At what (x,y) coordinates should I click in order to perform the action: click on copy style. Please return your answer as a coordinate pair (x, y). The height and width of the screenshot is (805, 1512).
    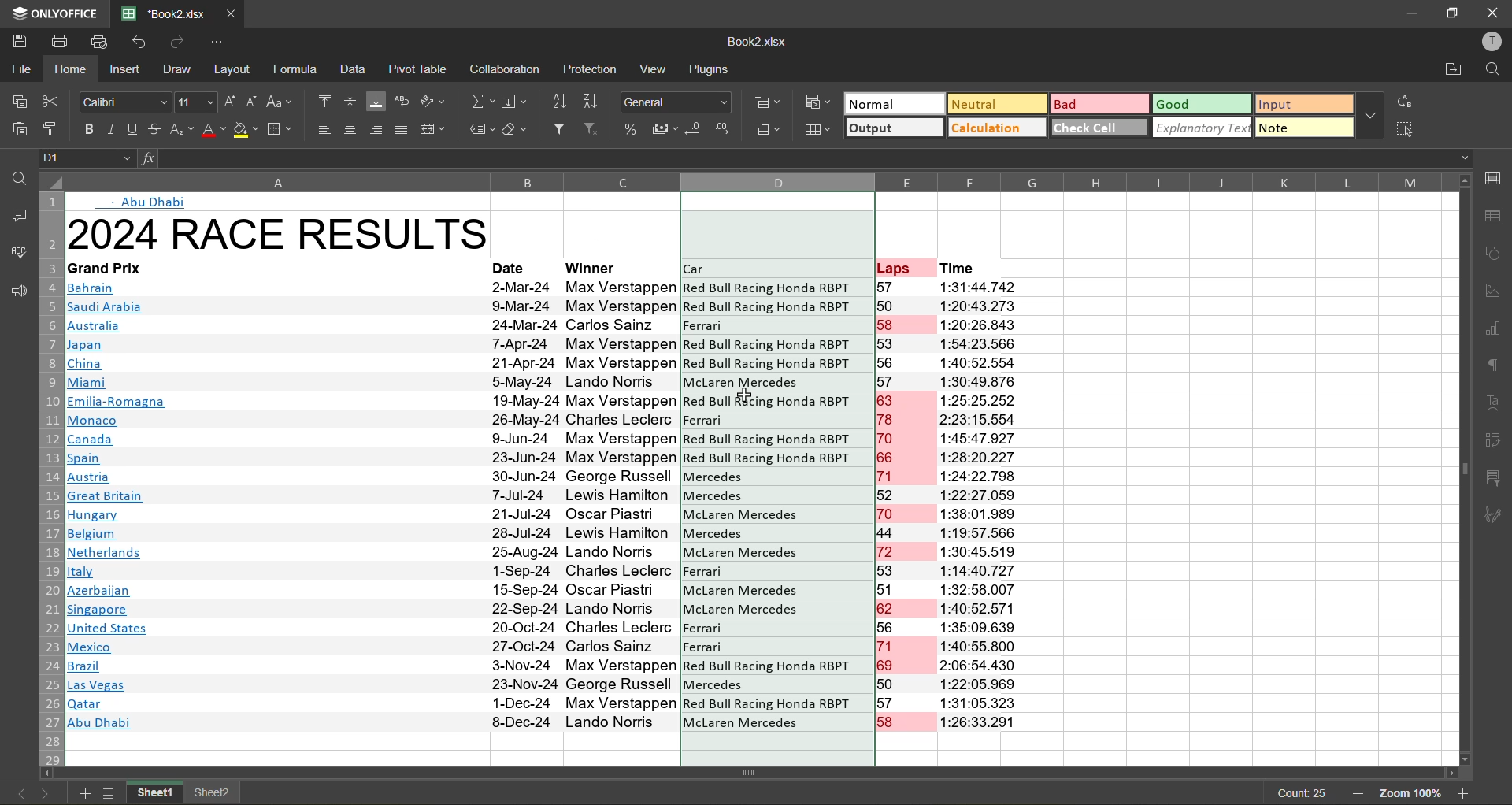
    Looking at the image, I should click on (53, 126).